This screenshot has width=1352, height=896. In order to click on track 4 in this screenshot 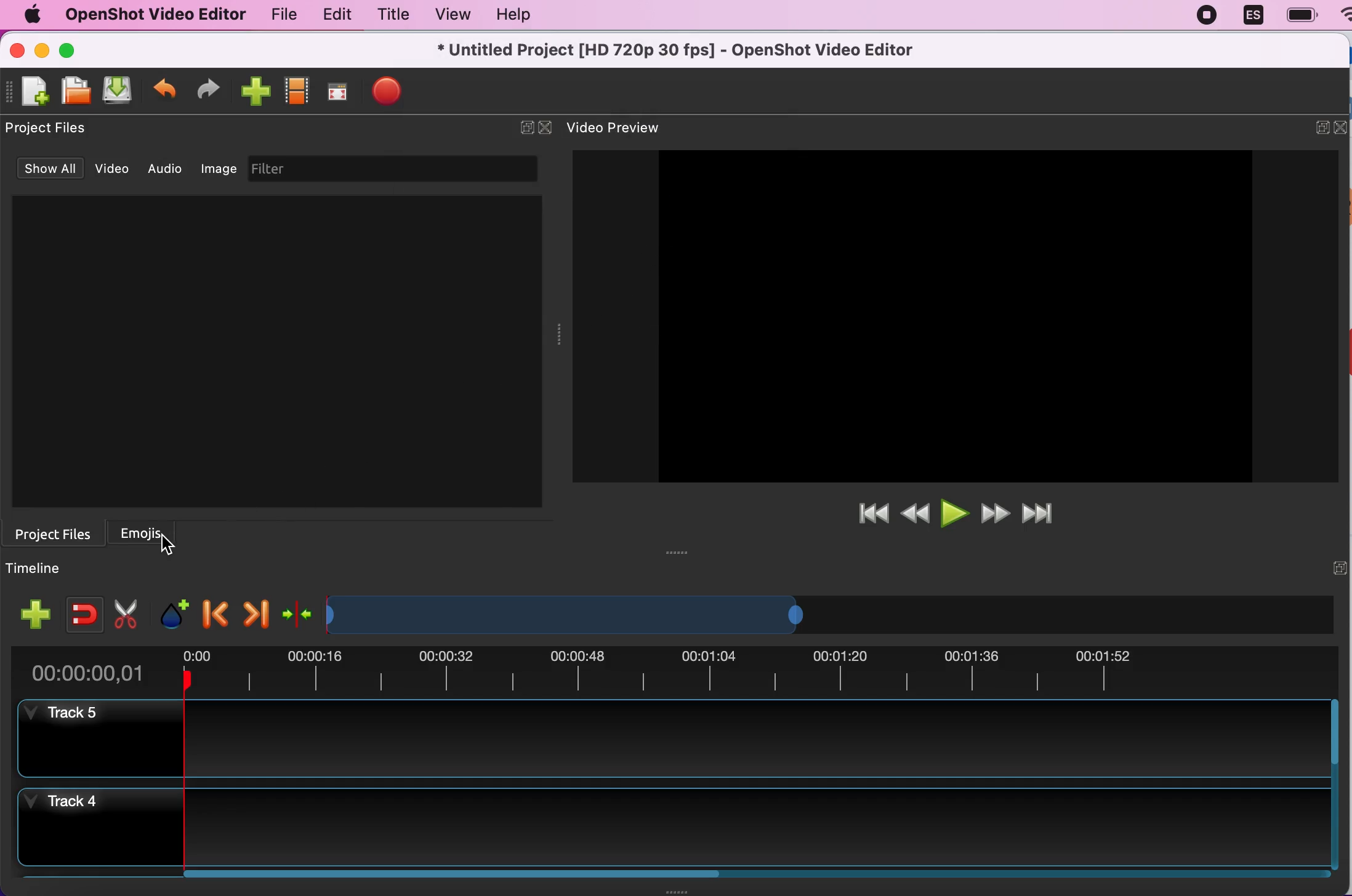, I will do `click(672, 827)`.